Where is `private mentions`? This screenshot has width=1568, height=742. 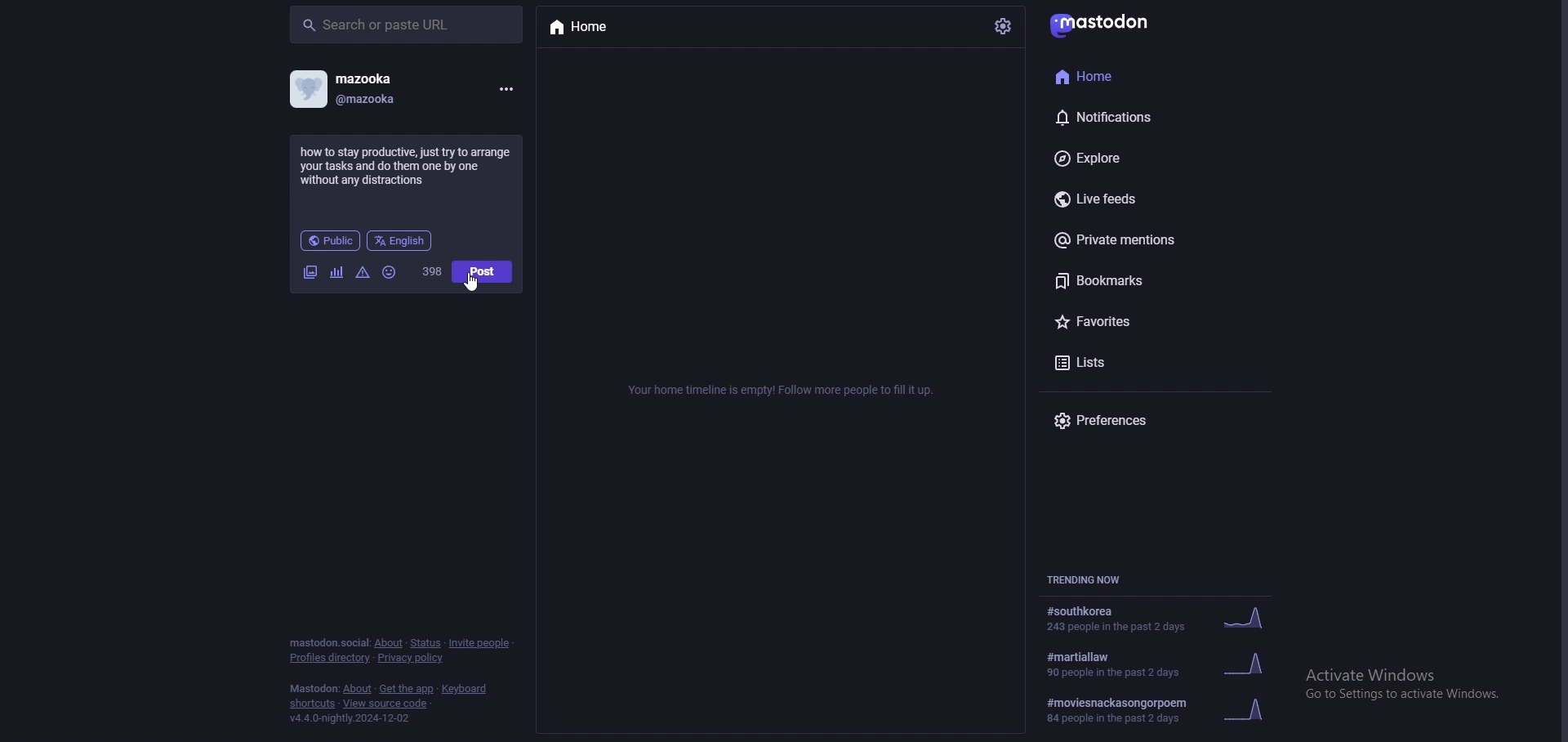 private mentions is located at coordinates (1138, 240).